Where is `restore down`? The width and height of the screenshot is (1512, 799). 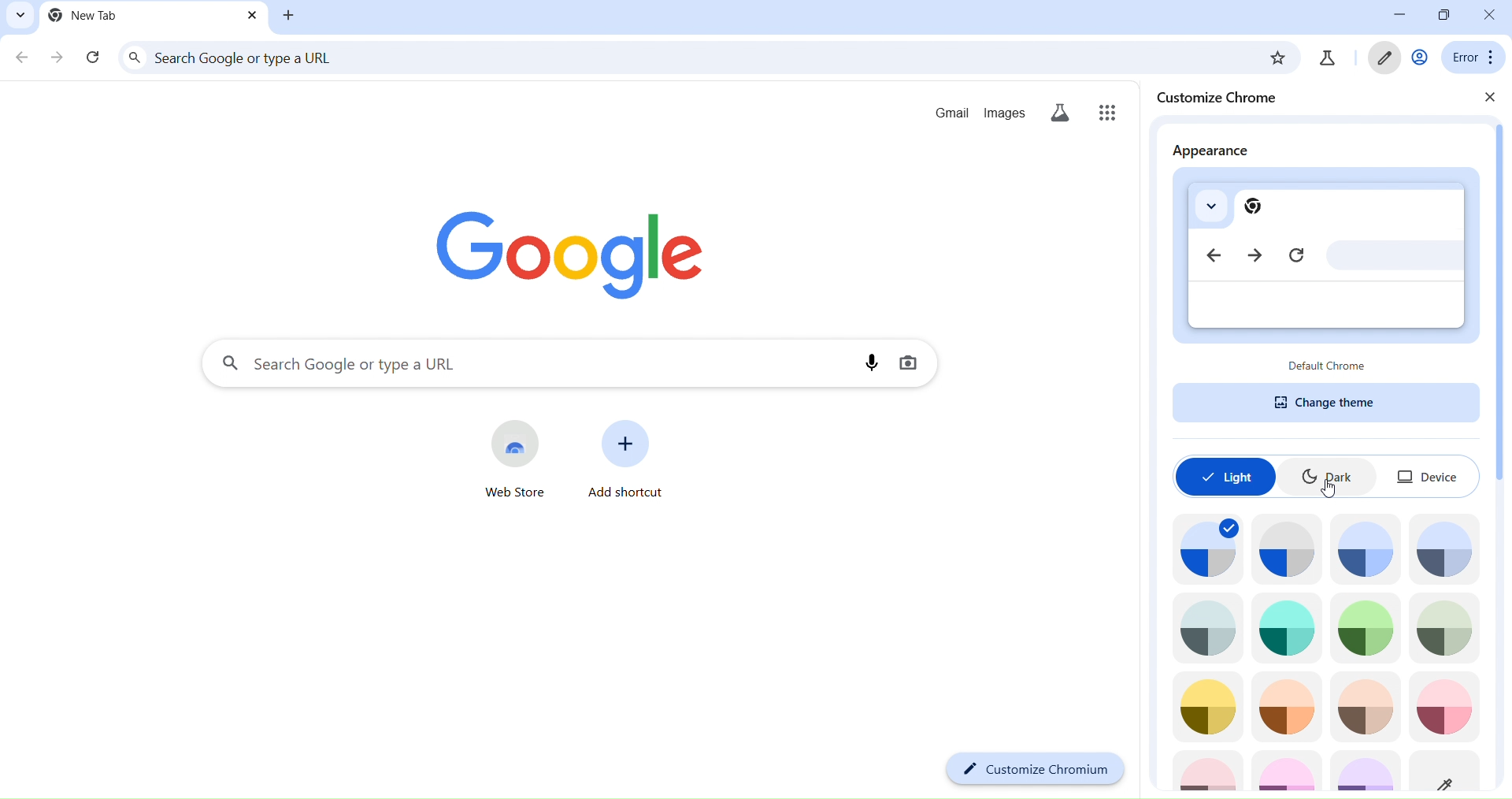 restore down is located at coordinates (1447, 13).